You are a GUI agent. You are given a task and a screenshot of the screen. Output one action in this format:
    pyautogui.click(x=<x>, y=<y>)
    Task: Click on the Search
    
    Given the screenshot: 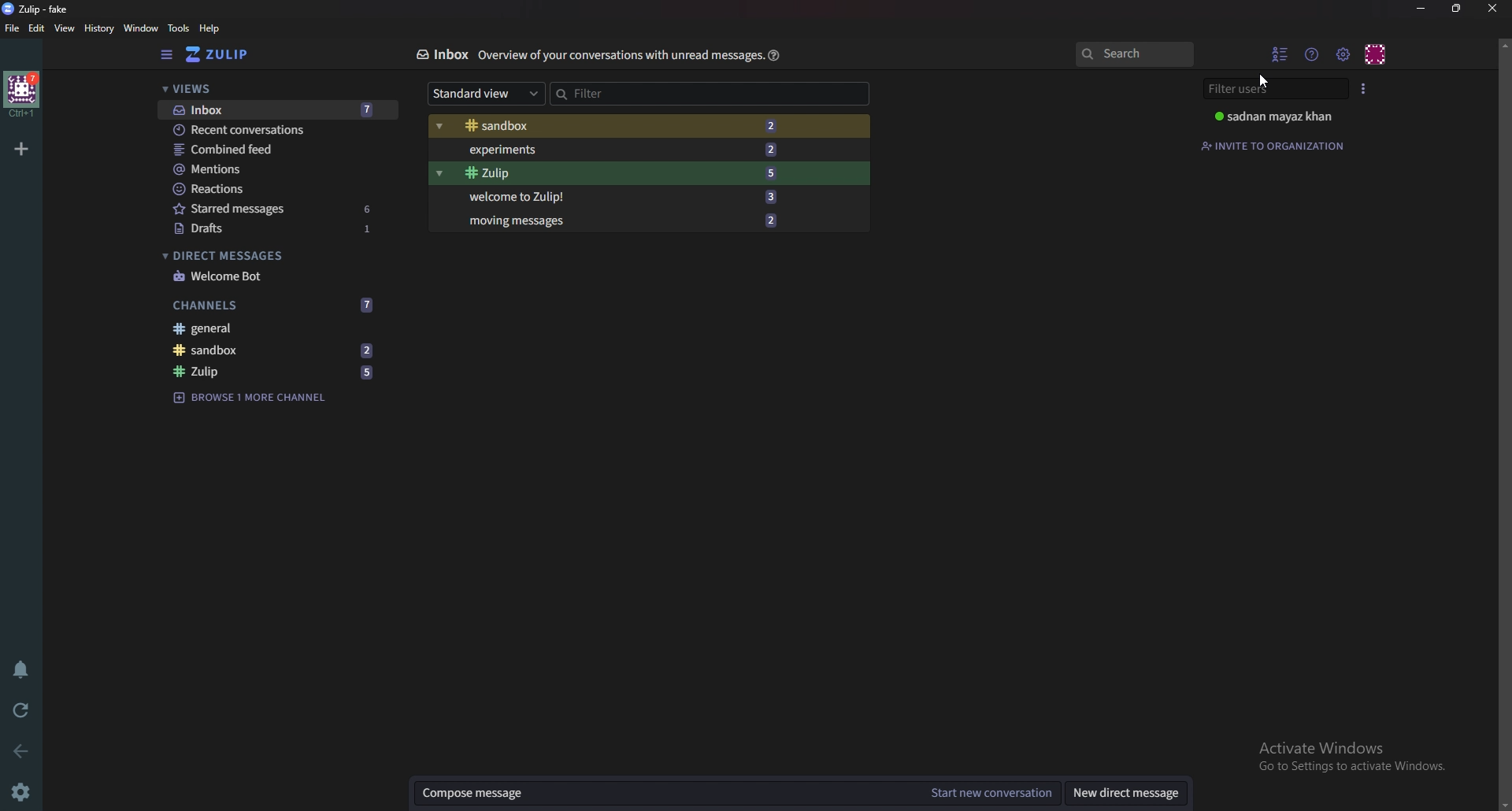 What is the action you would take?
    pyautogui.click(x=1134, y=54)
    